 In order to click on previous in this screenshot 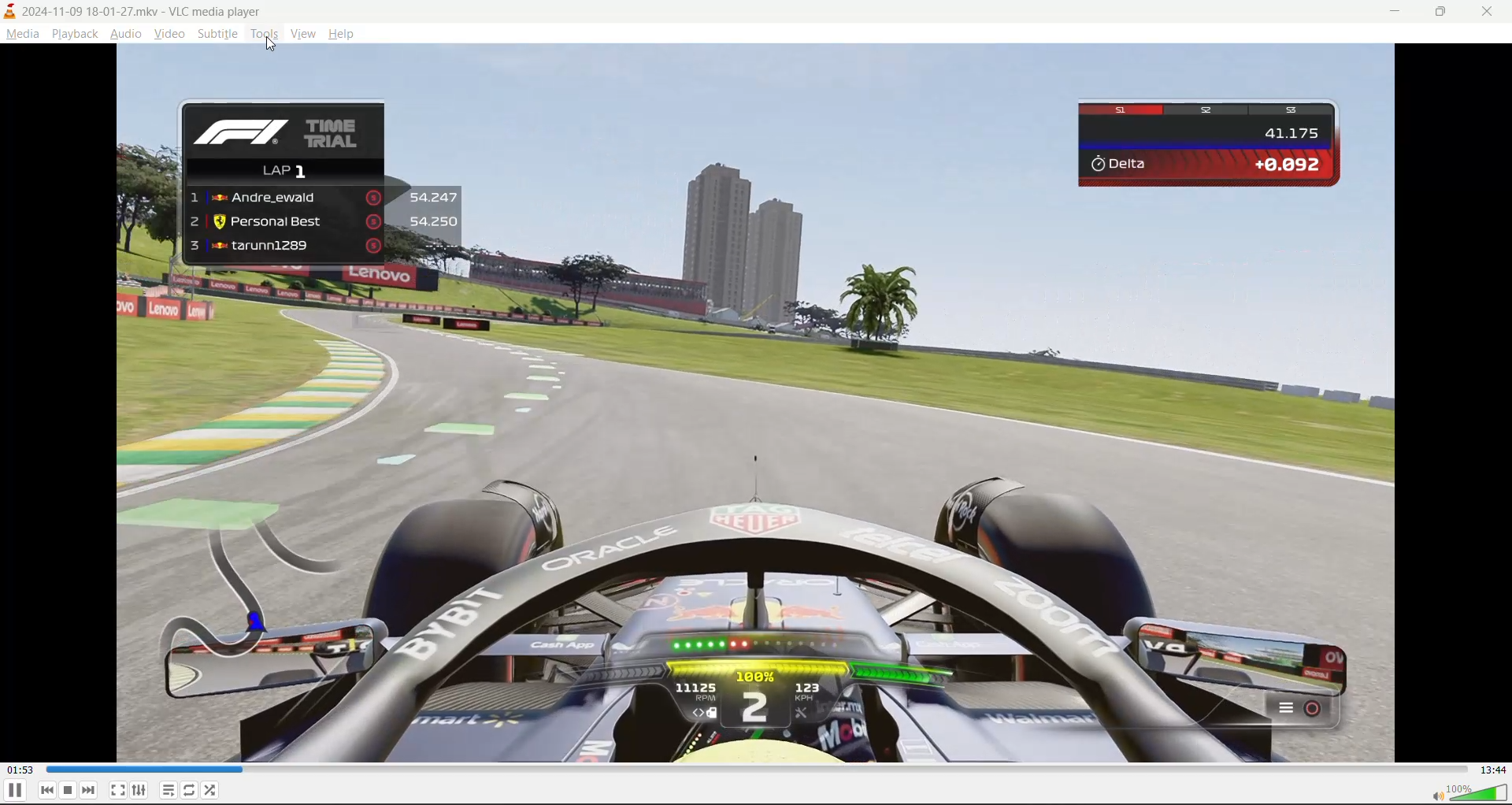, I will do `click(48, 790)`.